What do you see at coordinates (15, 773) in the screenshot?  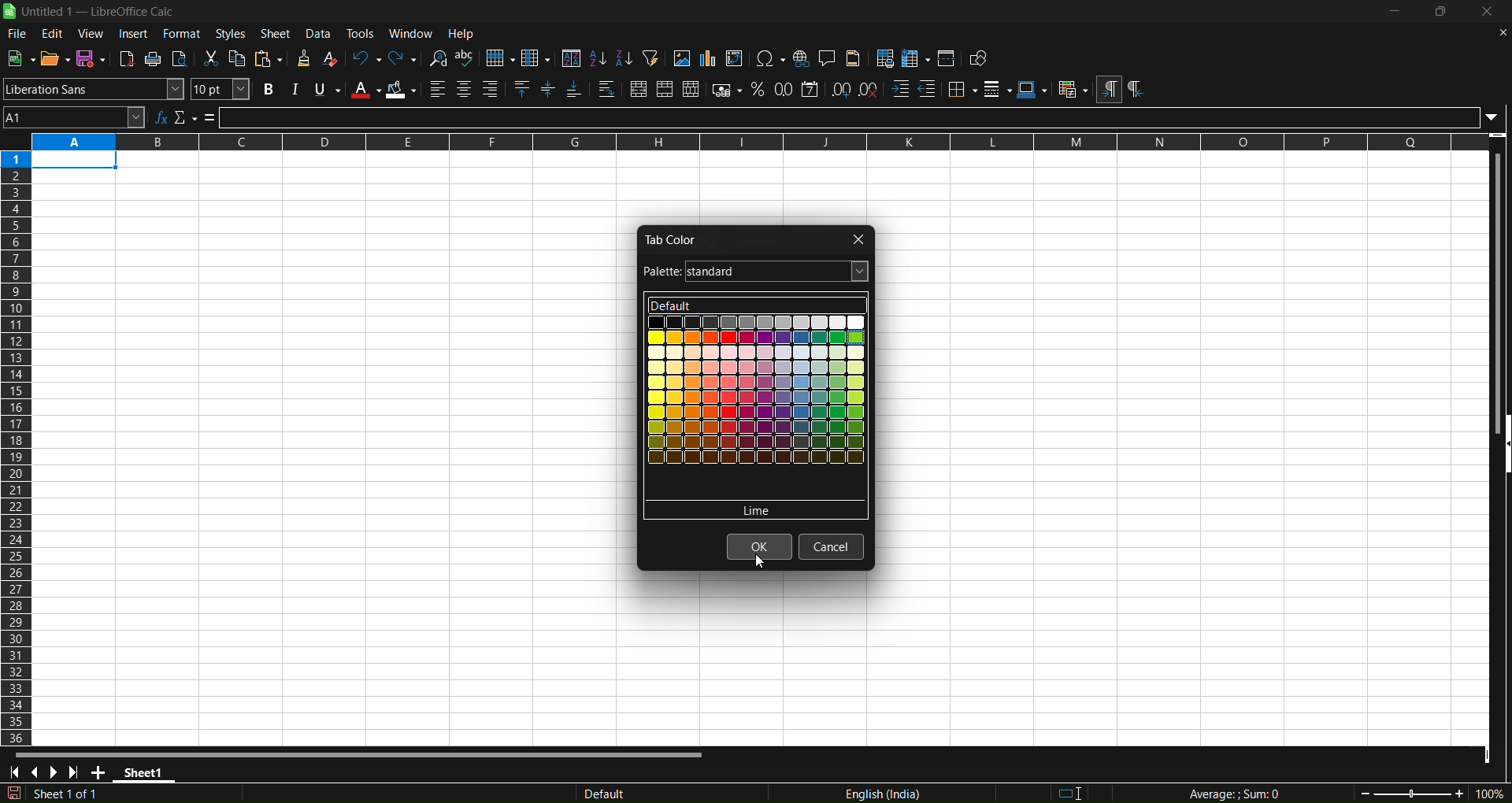 I see `scroll to first sheet` at bounding box center [15, 773].